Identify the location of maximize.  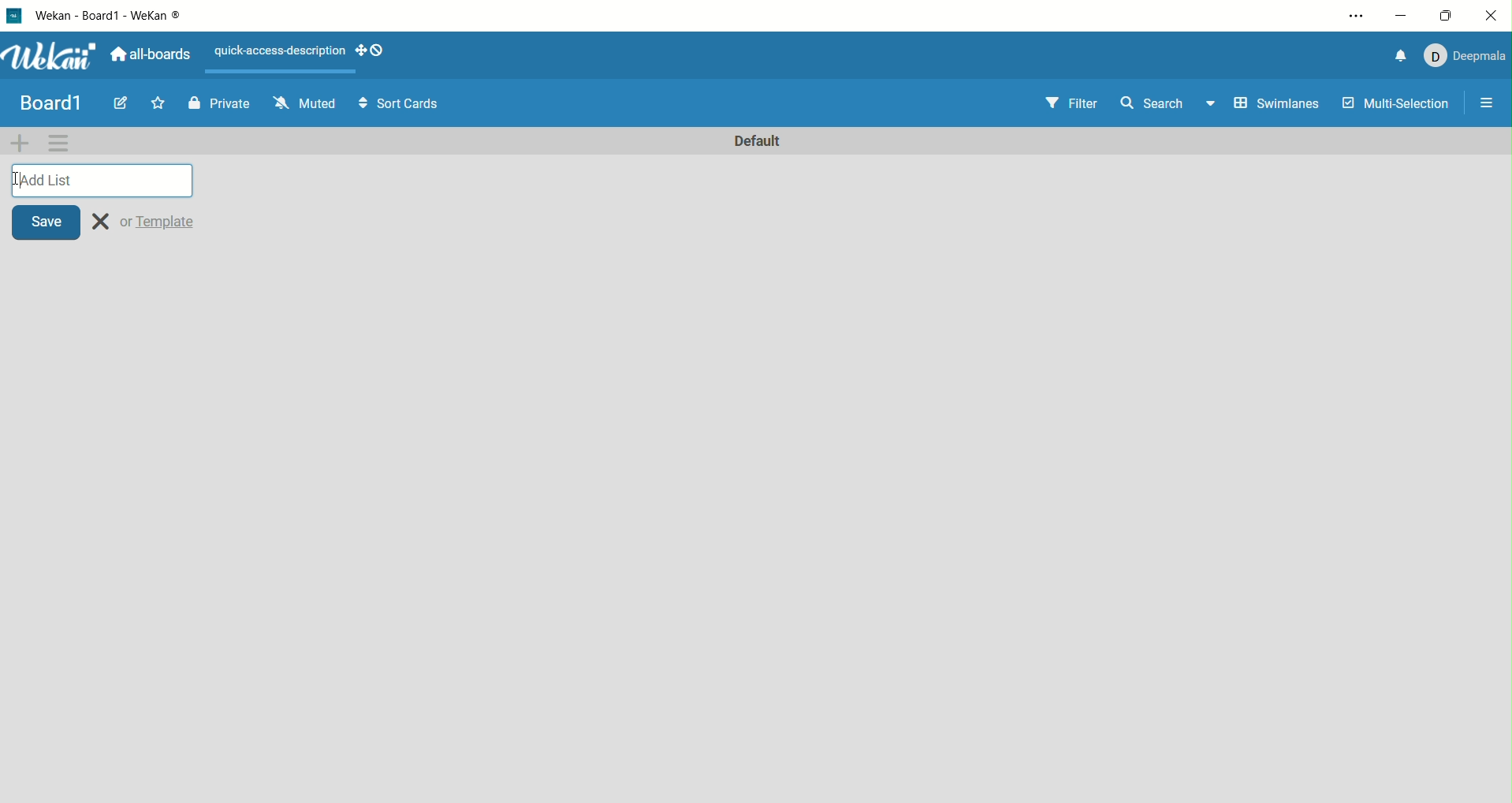
(1451, 13).